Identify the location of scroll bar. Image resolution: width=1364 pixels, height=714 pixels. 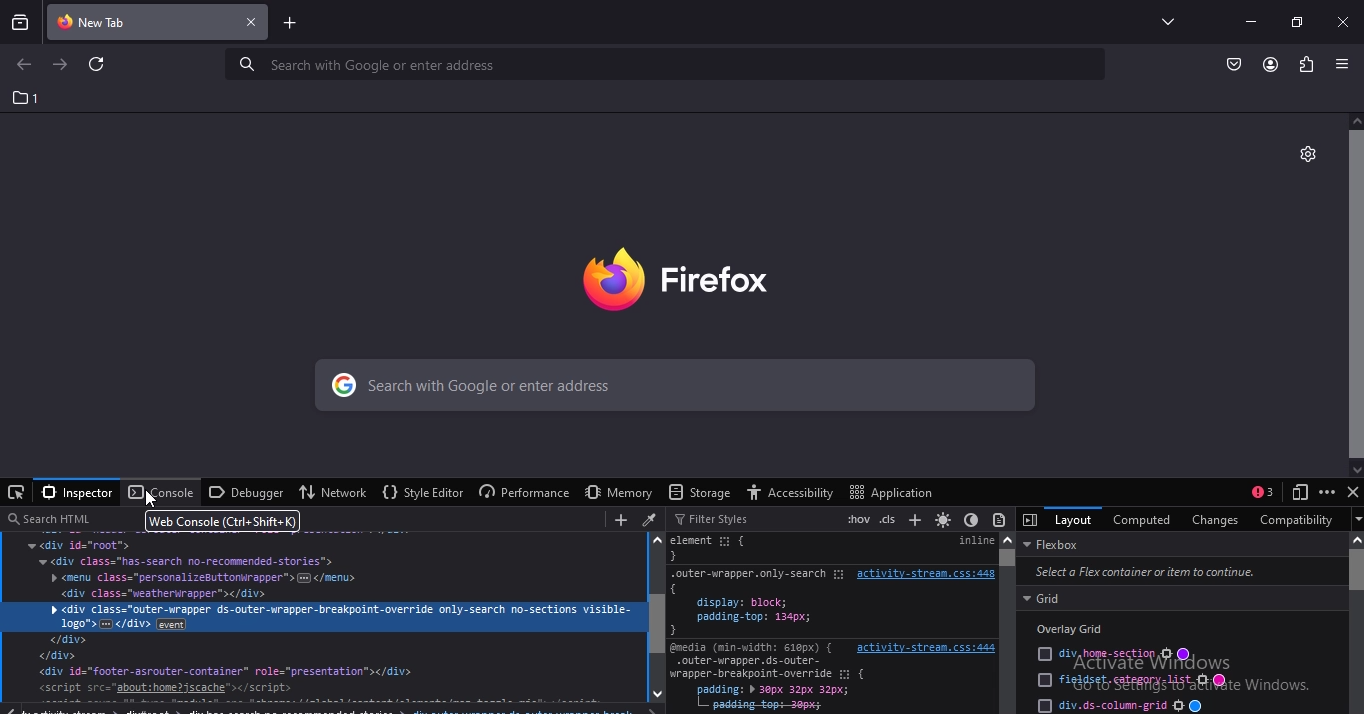
(1007, 573).